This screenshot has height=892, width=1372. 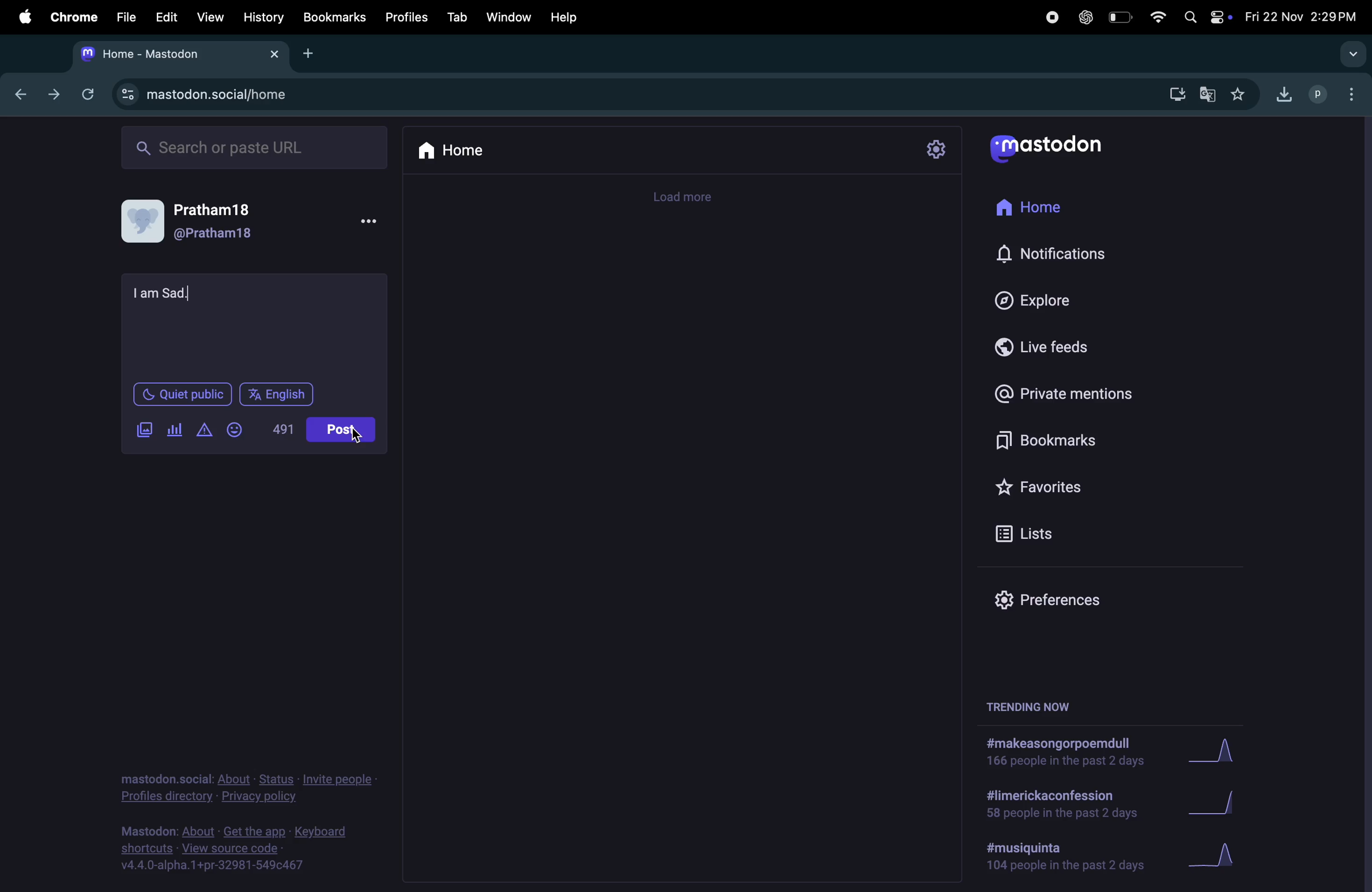 What do you see at coordinates (1208, 17) in the screenshot?
I see `apple widgets` at bounding box center [1208, 17].